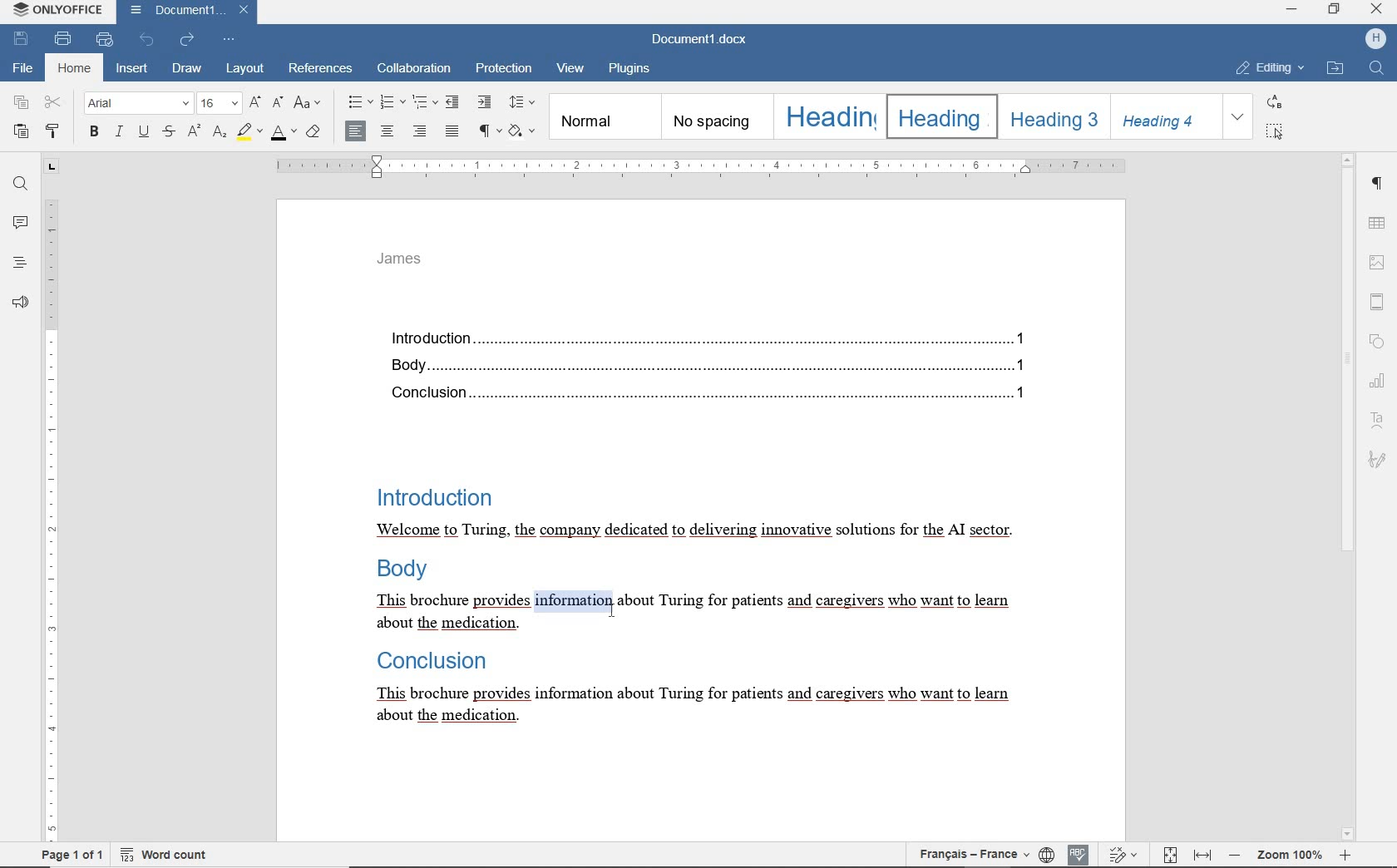 This screenshot has width=1397, height=868. What do you see at coordinates (220, 102) in the screenshot?
I see `FONT SIZE` at bounding box center [220, 102].